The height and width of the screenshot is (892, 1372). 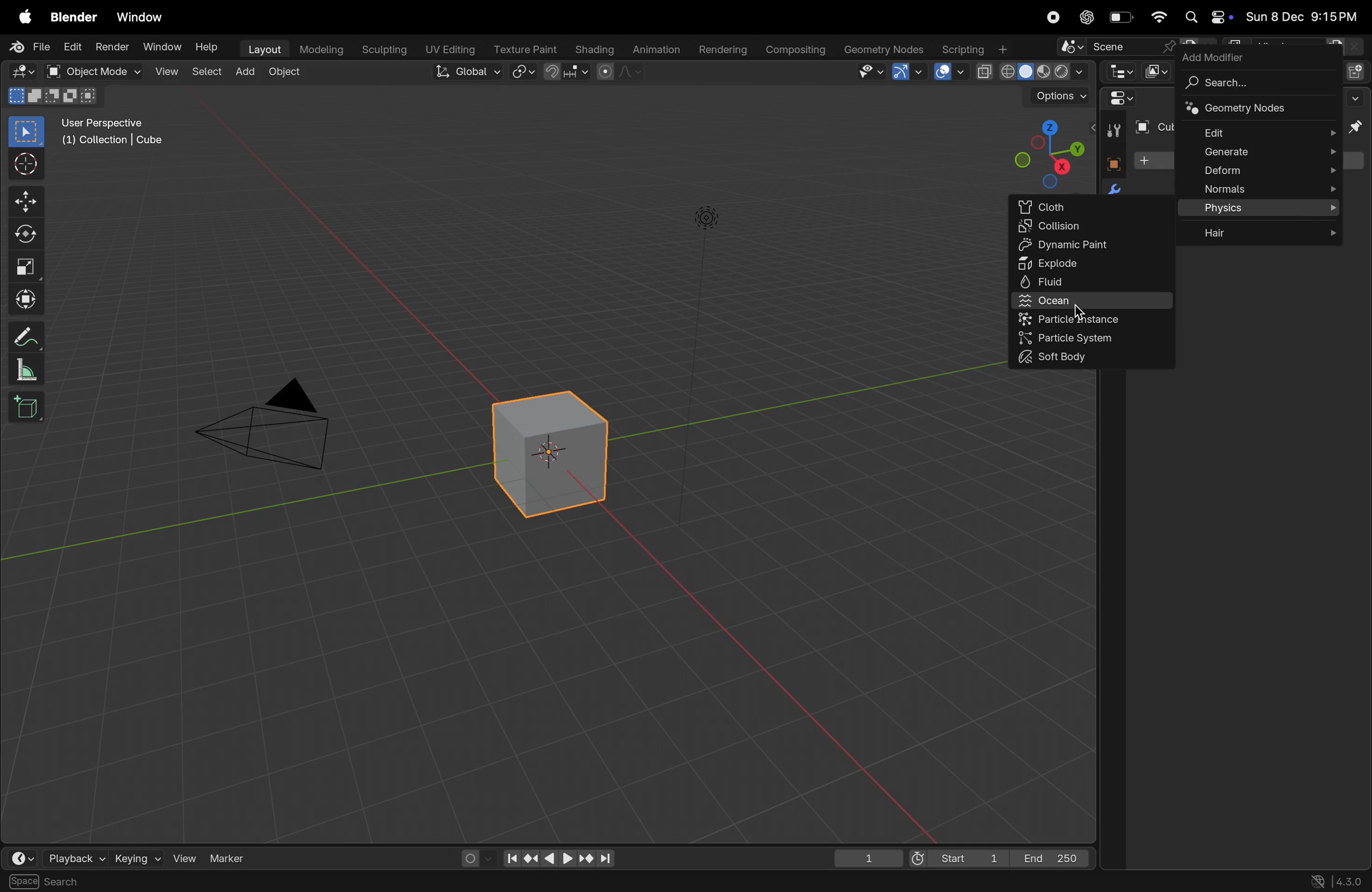 What do you see at coordinates (27, 131) in the screenshot?
I see `select box` at bounding box center [27, 131].